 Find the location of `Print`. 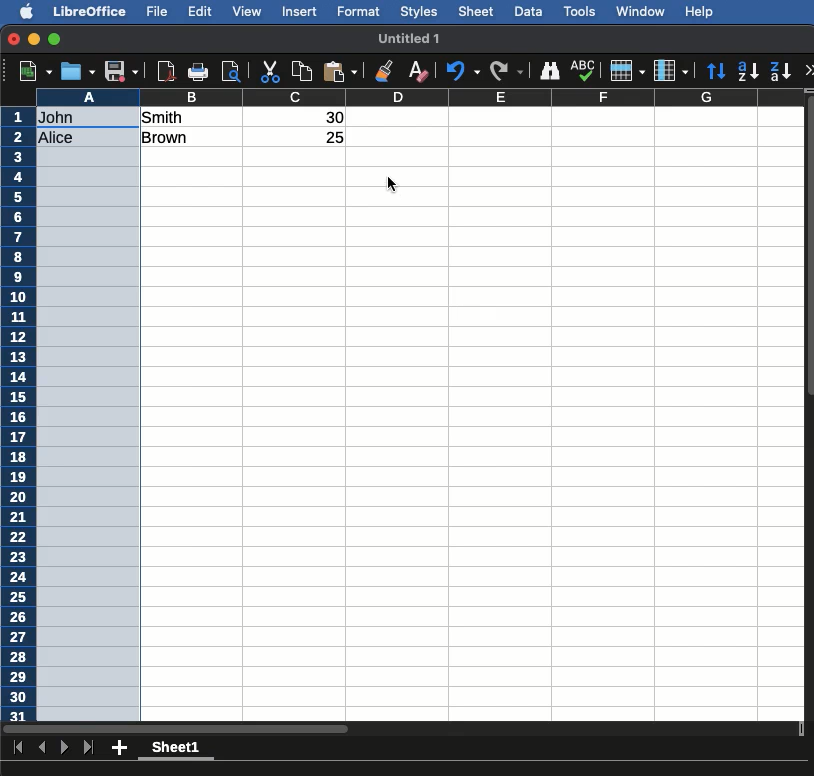

Print is located at coordinates (197, 69).